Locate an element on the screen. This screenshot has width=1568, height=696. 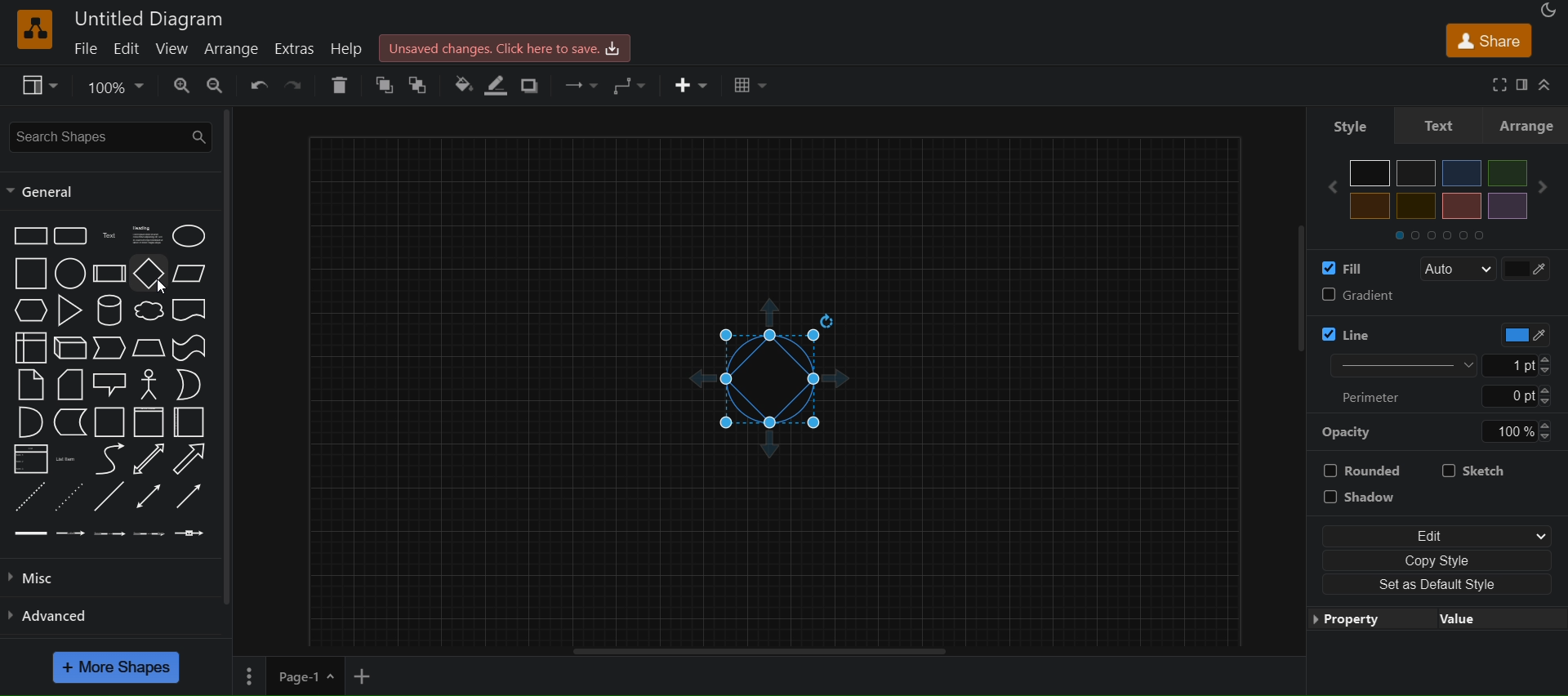
style is located at coordinates (1340, 124).